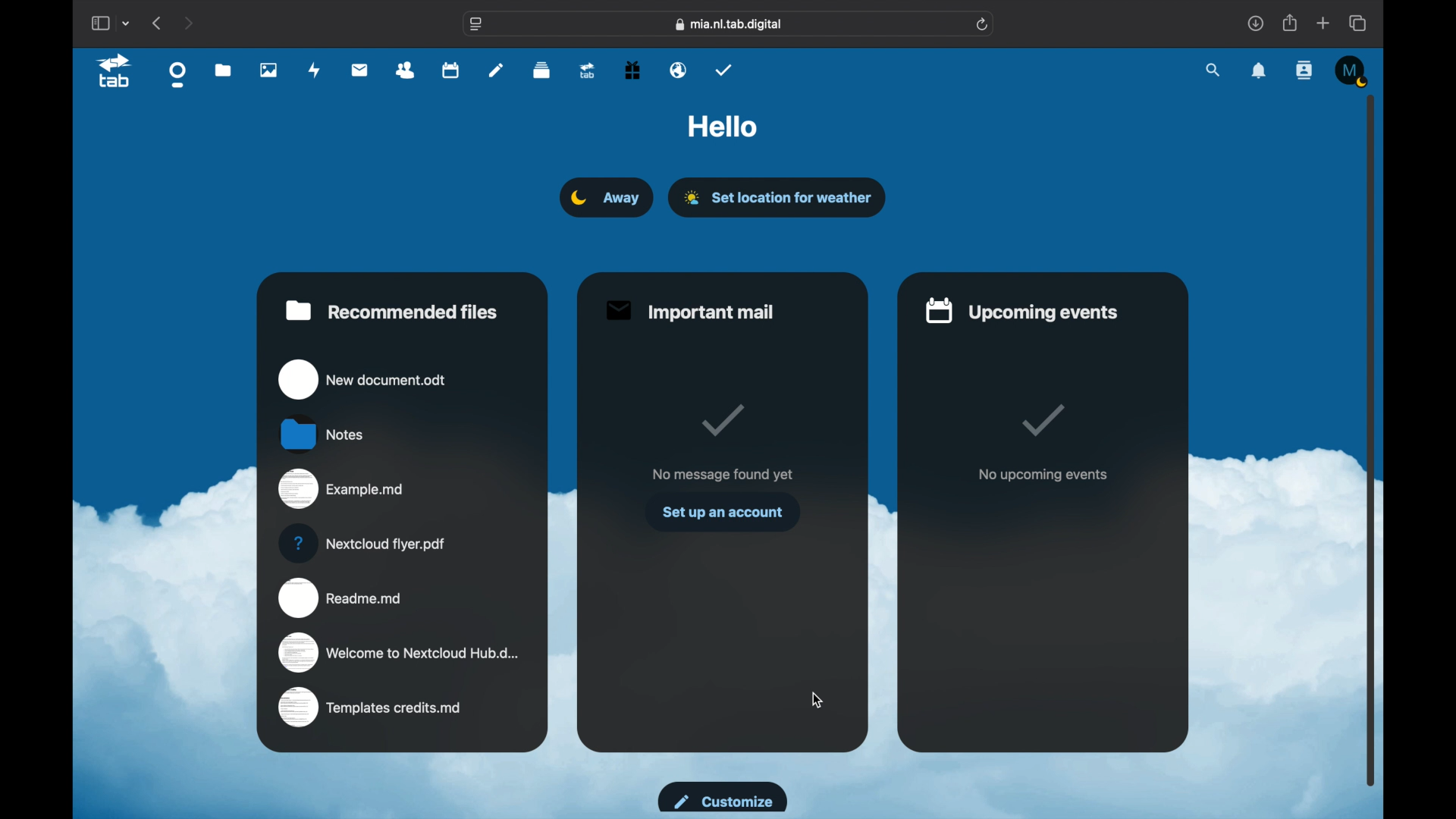 Image resolution: width=1456 pixels, height=819 pixels. What do you see at coordinates (1260, 71) in the screenshot?
I see `notifications` at bounding box center [1260, 71].